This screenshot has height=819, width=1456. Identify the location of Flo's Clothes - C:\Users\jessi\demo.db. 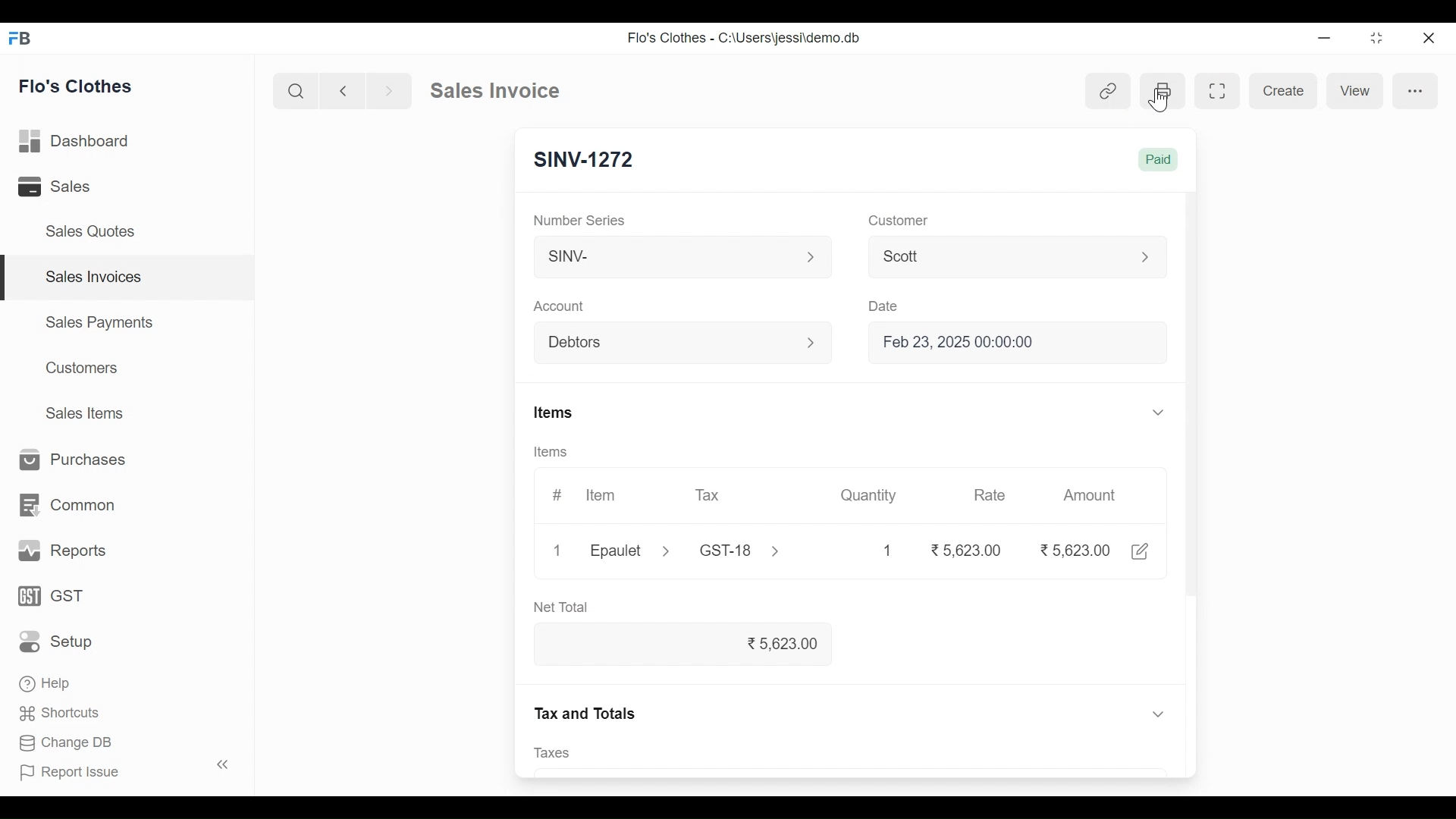
(744, 36).